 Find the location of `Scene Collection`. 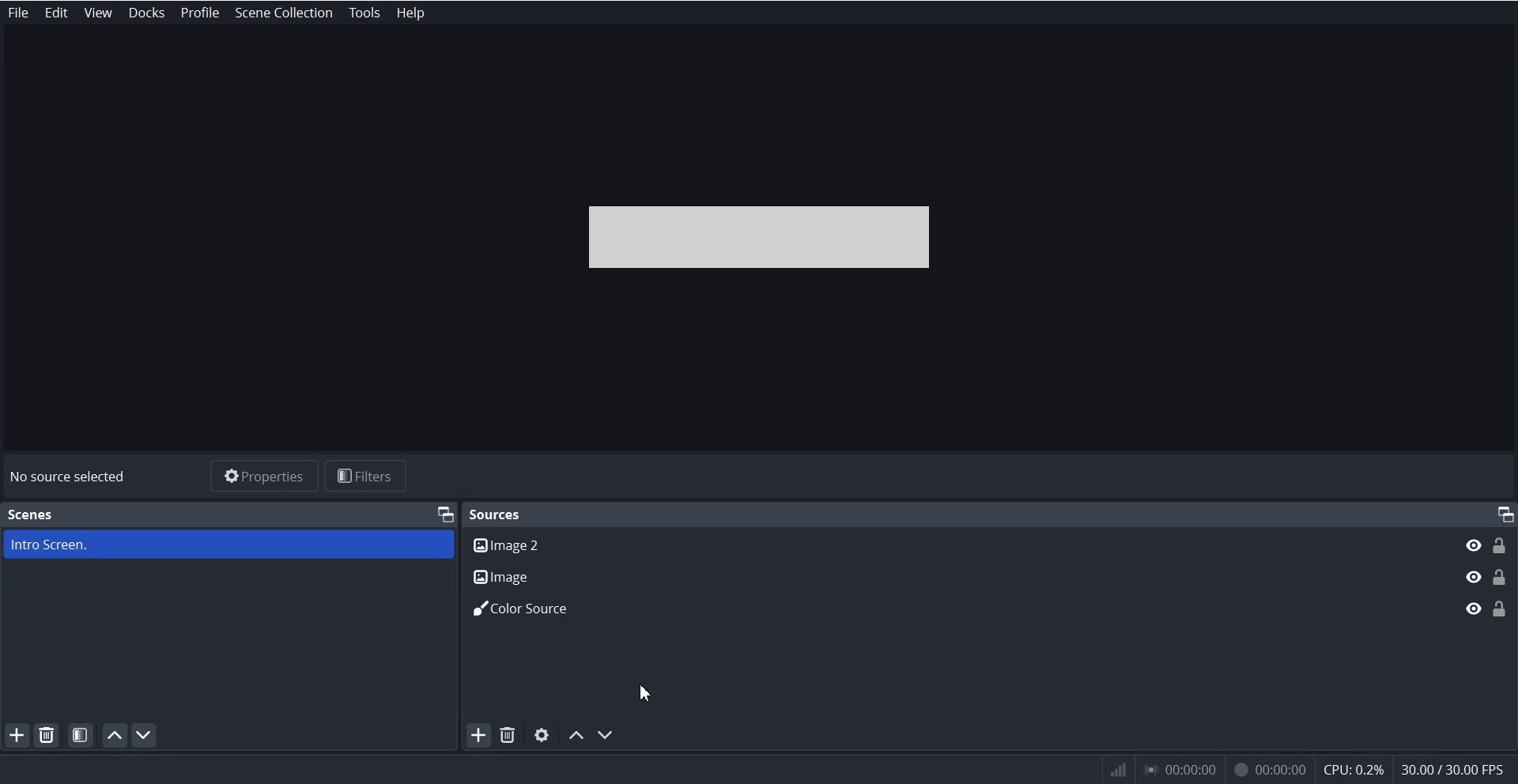

Scene Collection is located at coordinates (285, 13).